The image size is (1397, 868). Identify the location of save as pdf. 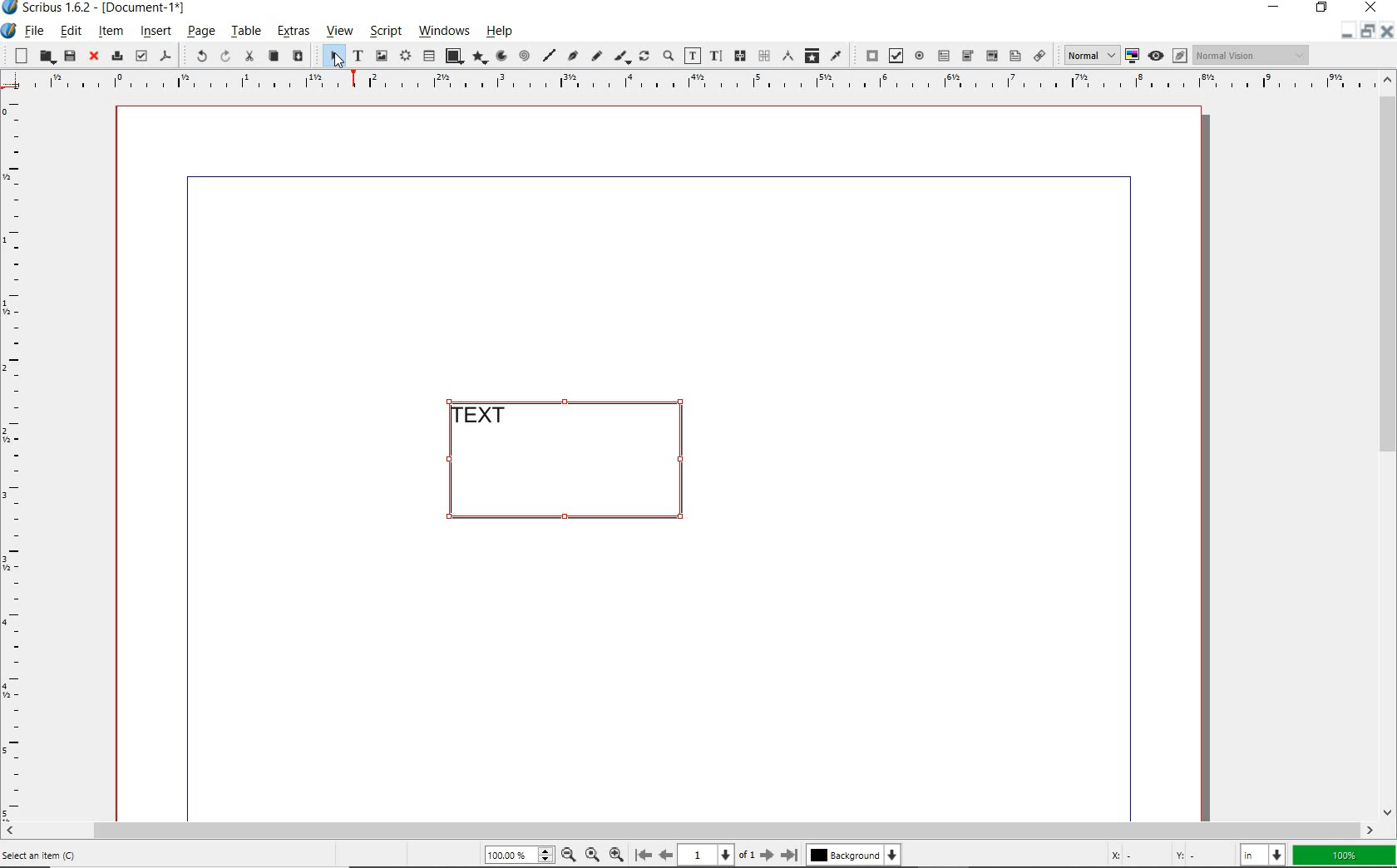
(165, 56).